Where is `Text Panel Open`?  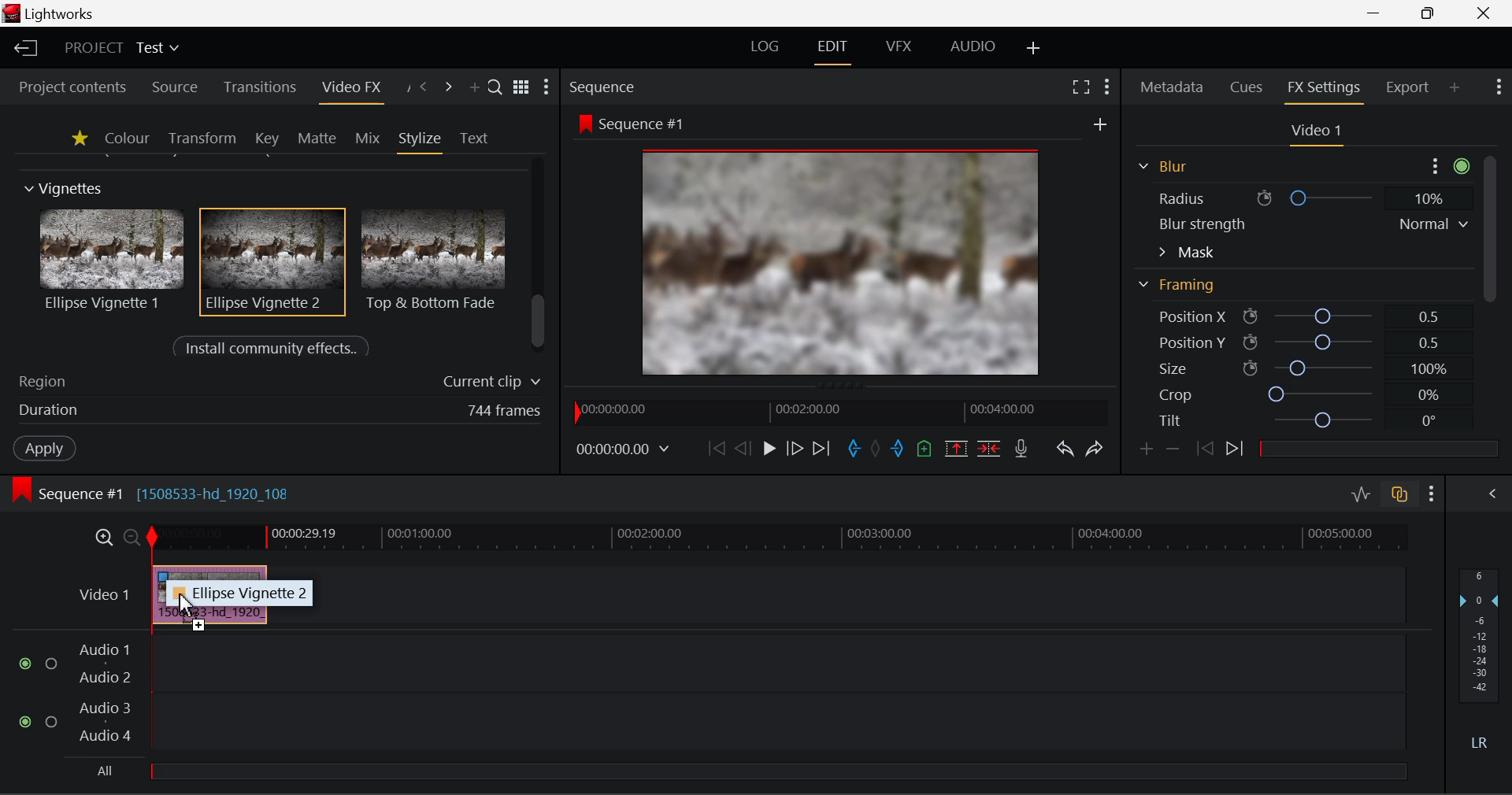
Text Panel Open is located at coordinates (476, 137).